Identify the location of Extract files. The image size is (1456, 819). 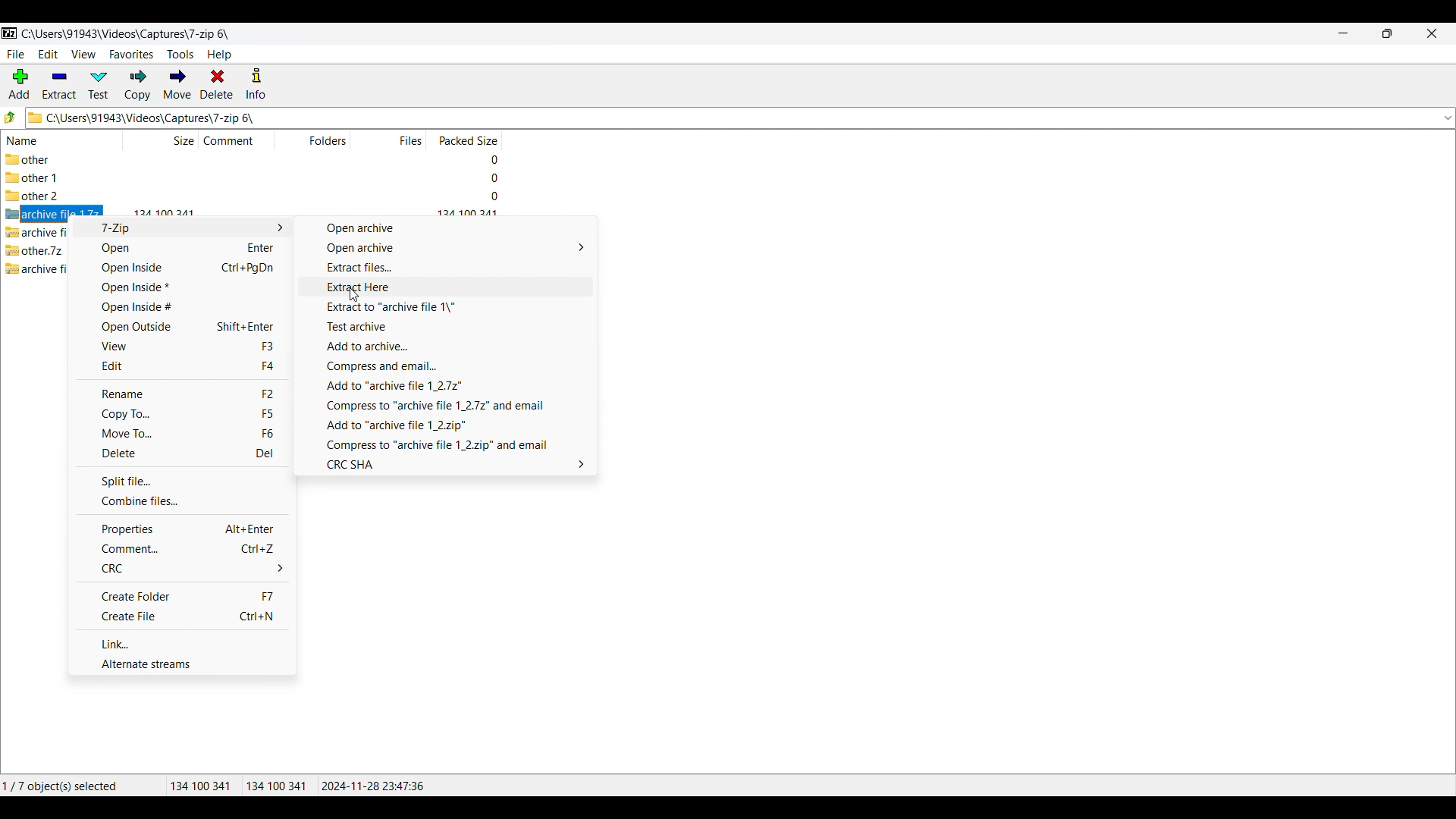
(446, 267).